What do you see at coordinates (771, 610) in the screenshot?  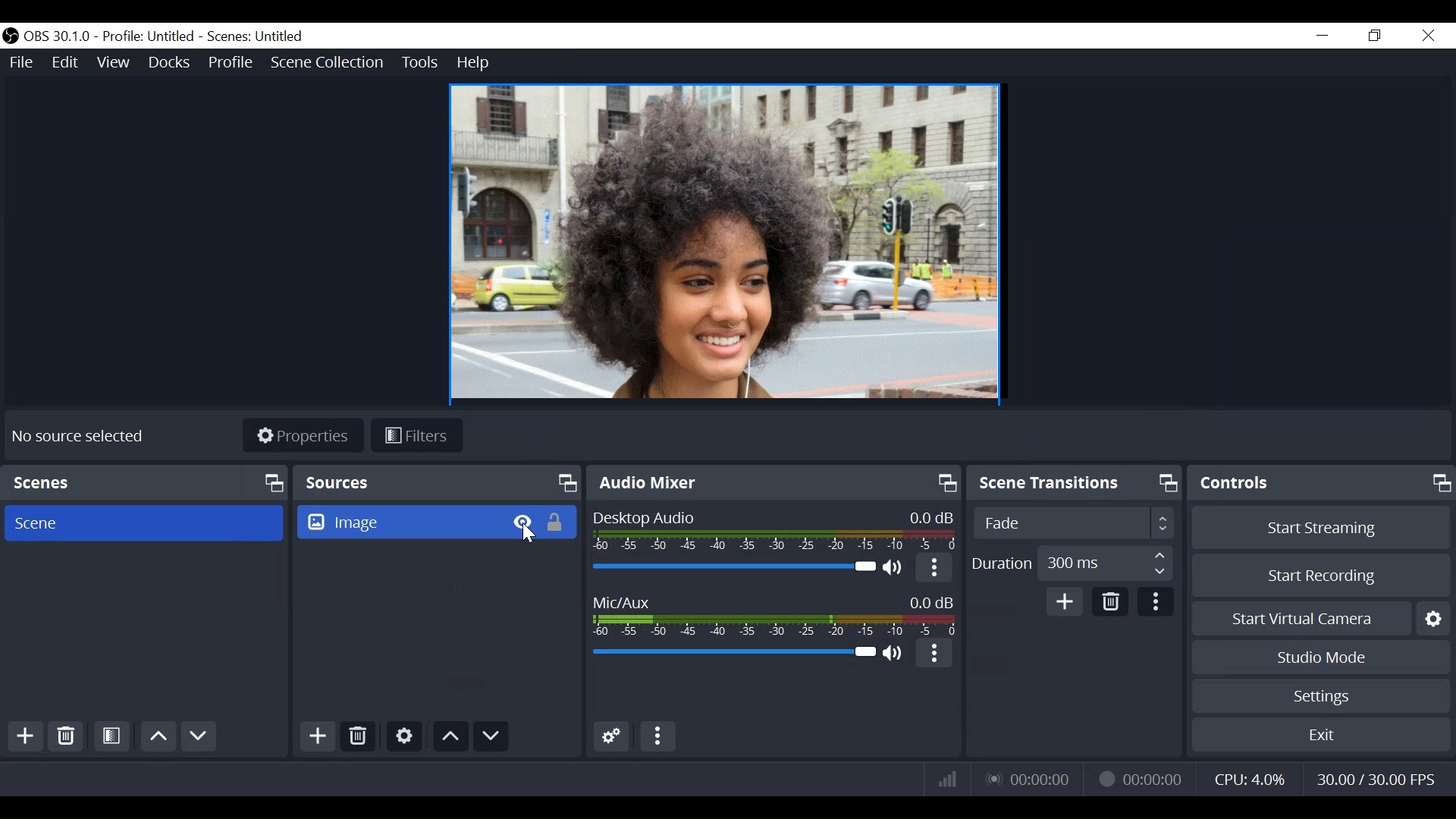 I see `Mic/Aux` at bounding box center [771, 610].